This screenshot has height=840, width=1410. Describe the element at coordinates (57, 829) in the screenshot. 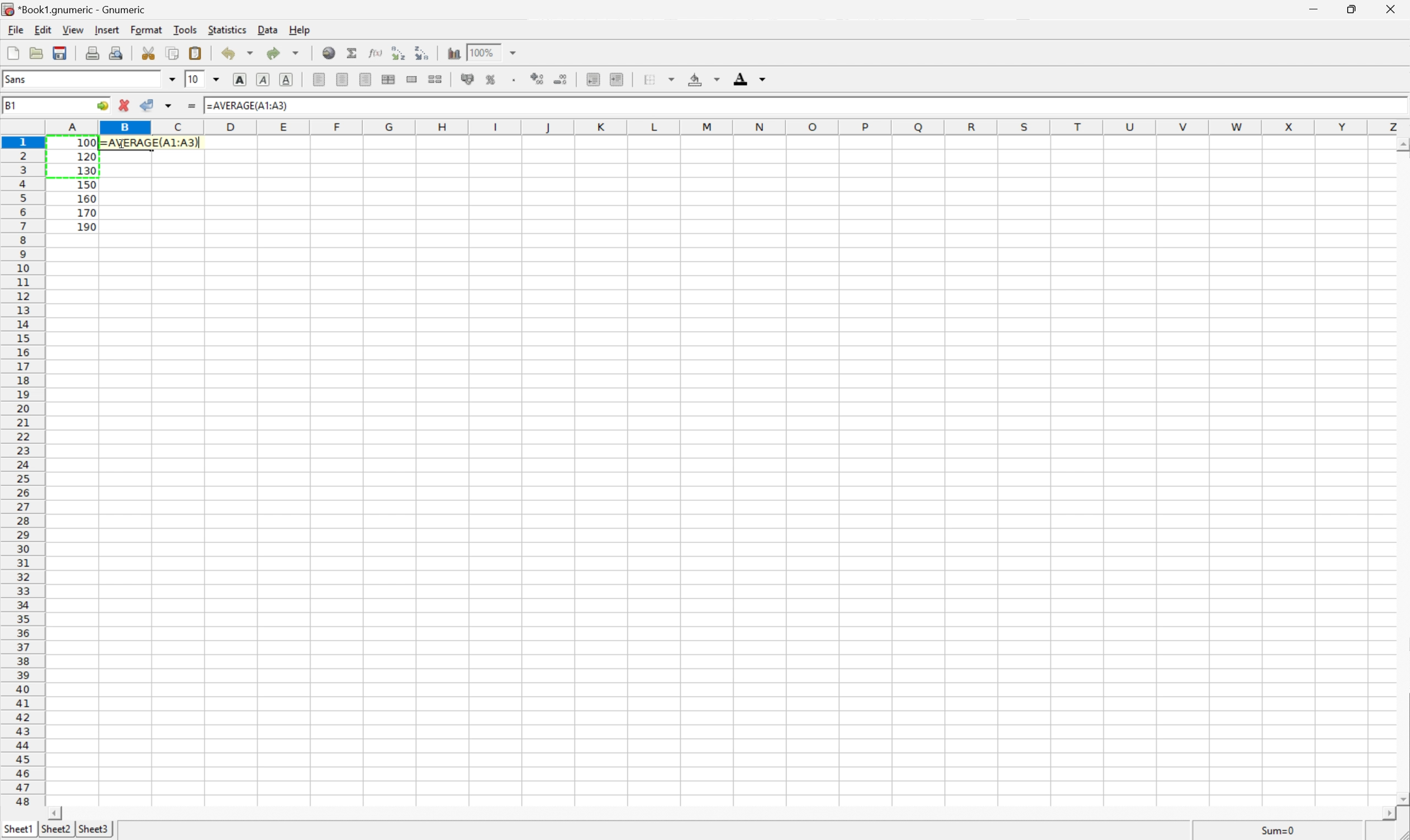

I see `Sheet2` at that location.